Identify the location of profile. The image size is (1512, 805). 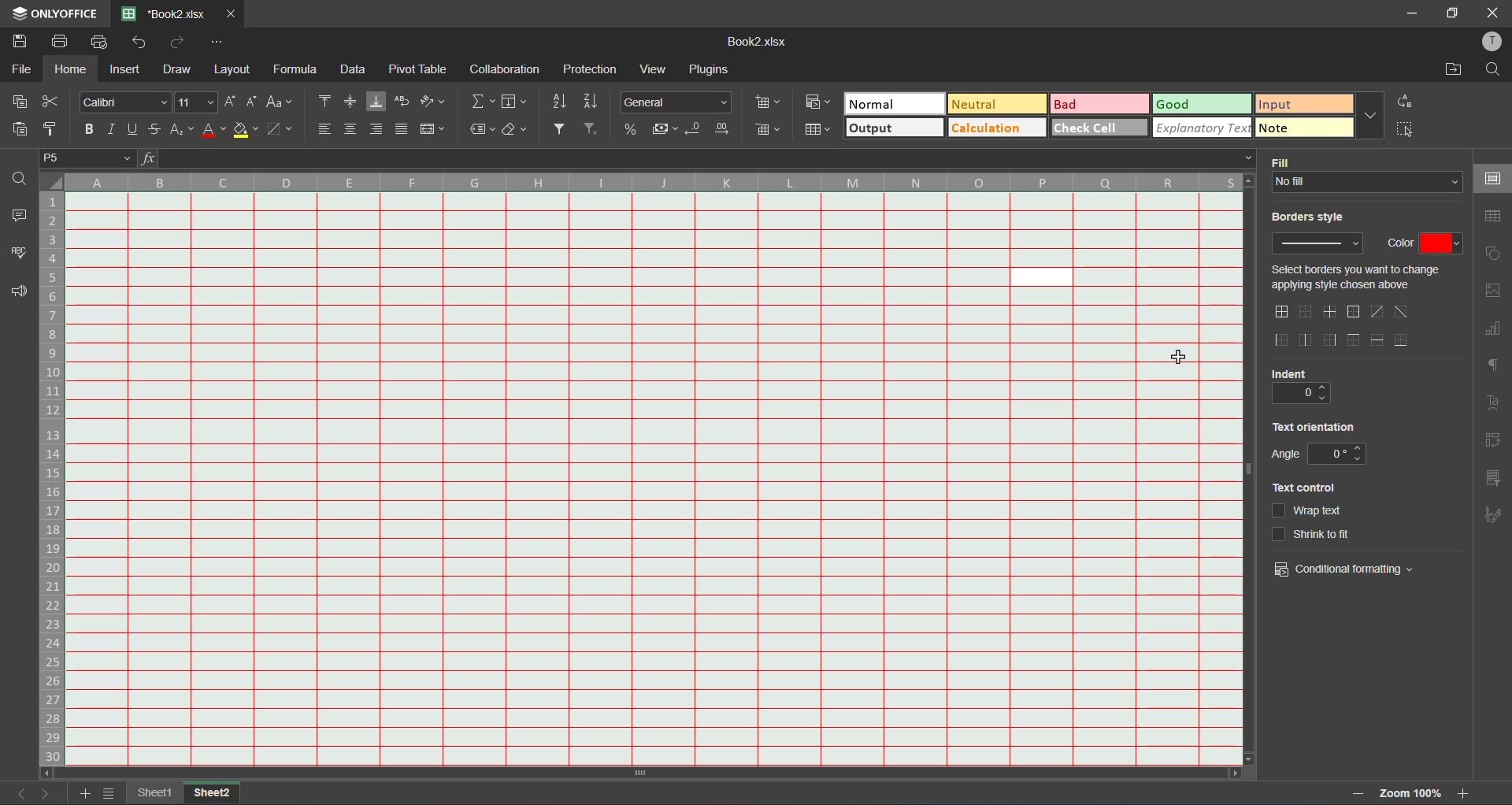
(1489, 42).